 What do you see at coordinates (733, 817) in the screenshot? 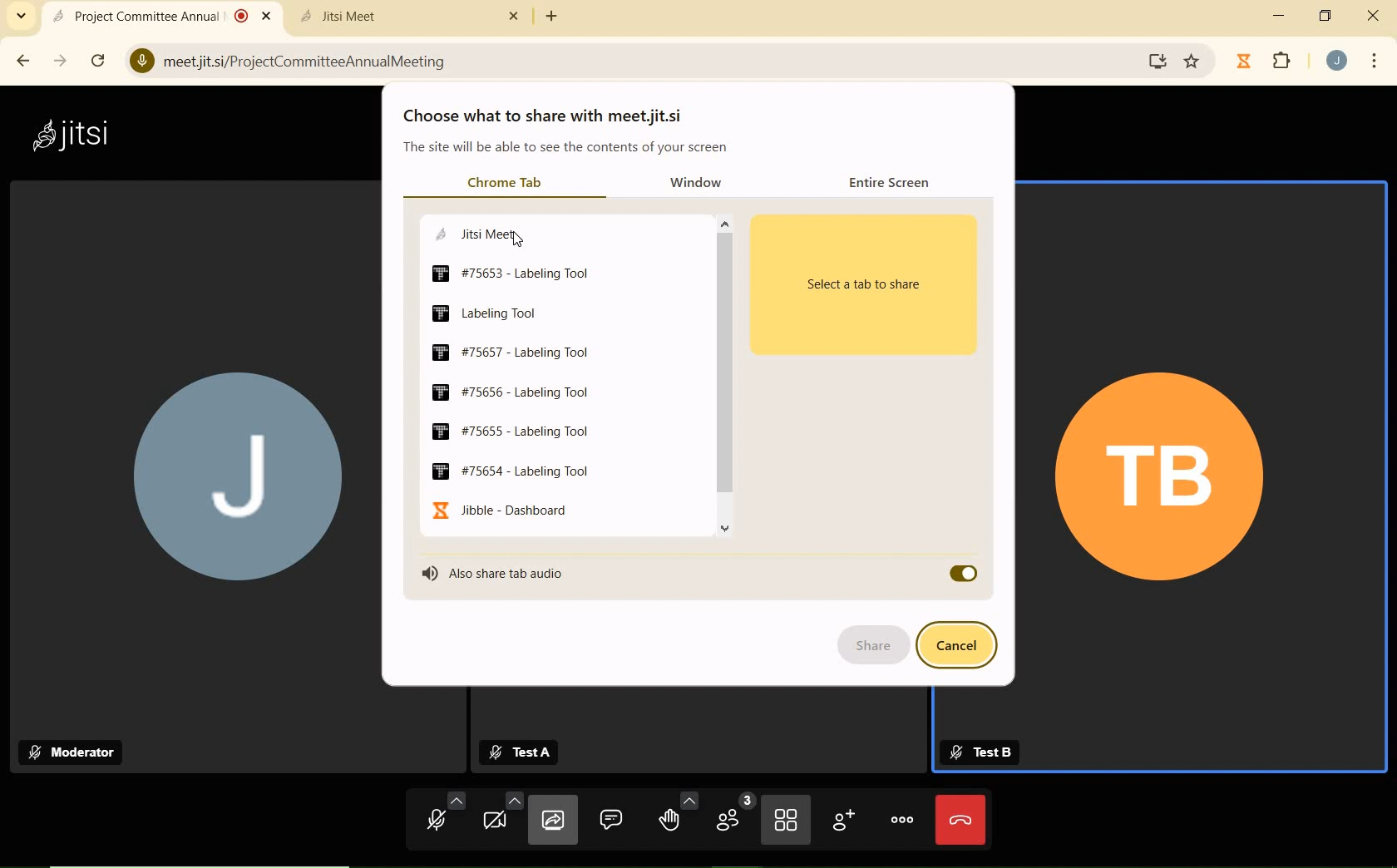
I see `participants` at bounding box center [733, 817].